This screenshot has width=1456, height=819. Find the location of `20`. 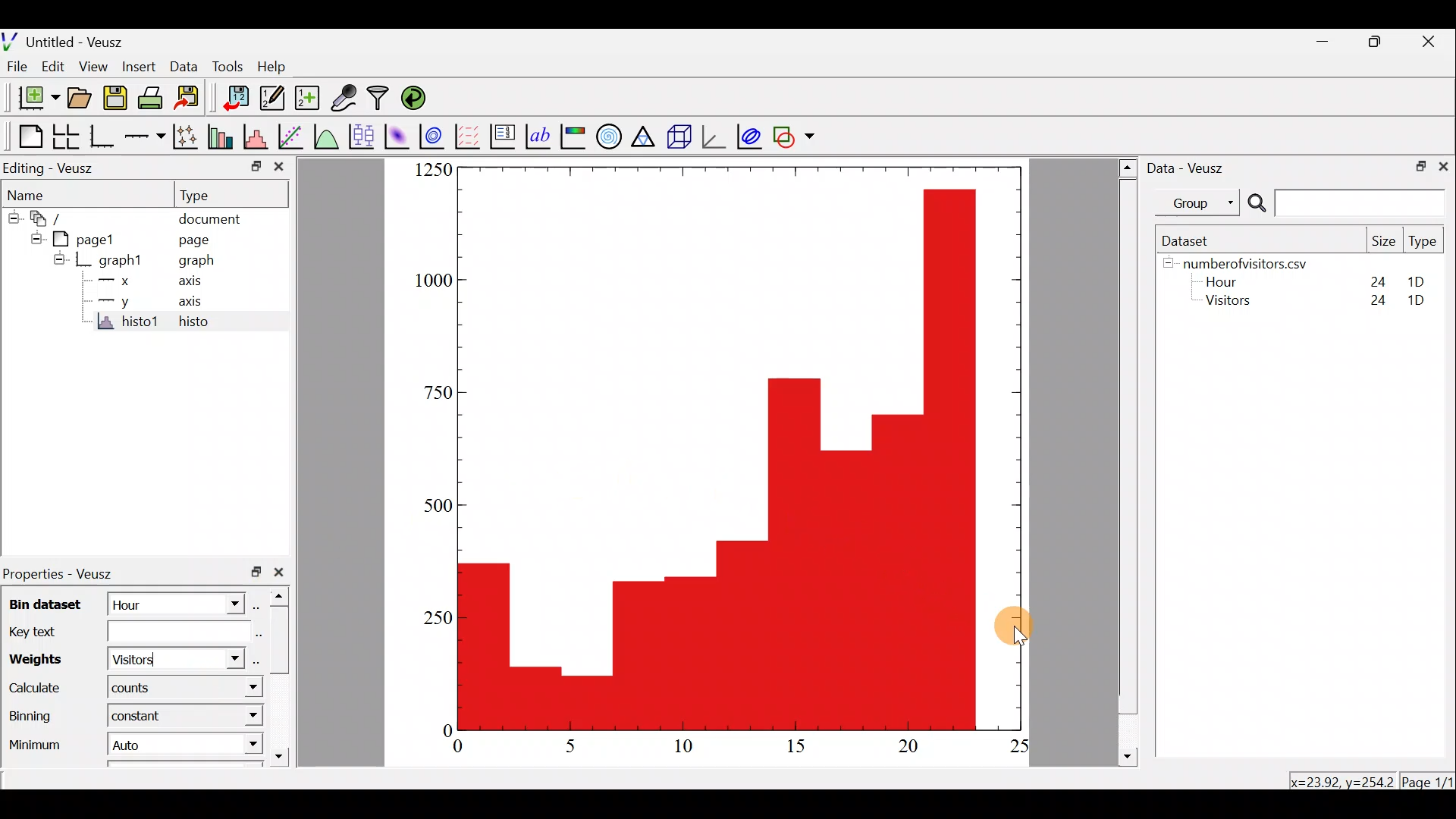

20 is located at coordinates (912, 748).